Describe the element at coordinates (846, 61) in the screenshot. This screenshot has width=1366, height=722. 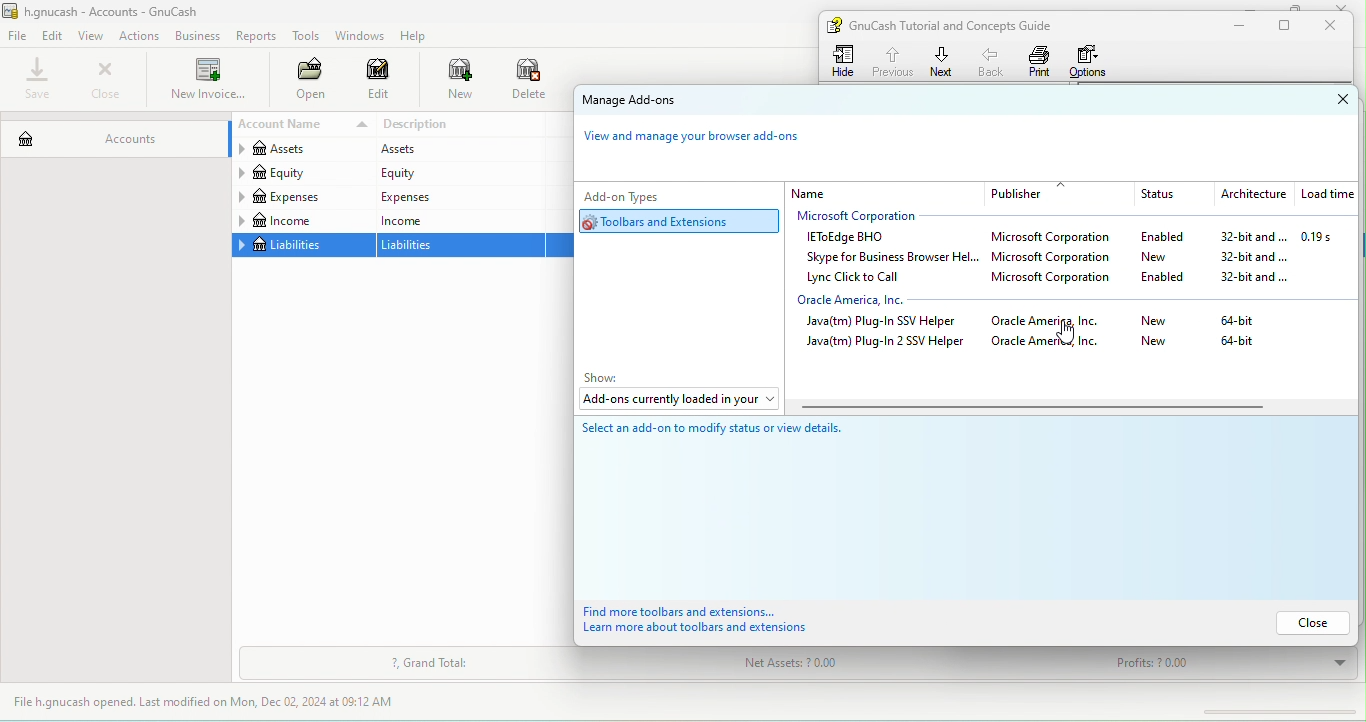
I see `hide` at that location.